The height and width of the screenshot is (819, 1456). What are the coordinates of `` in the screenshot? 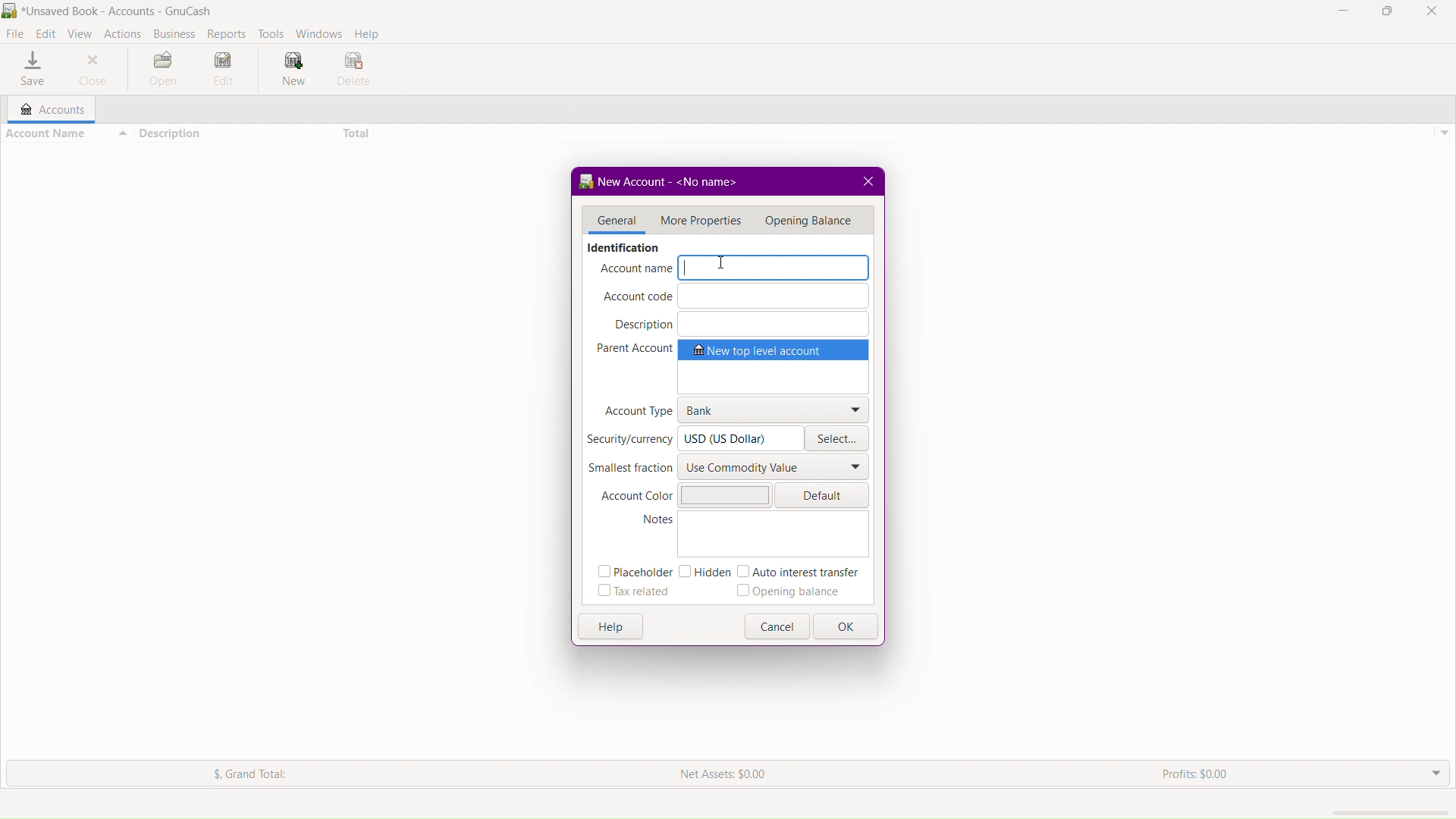 It's located at (811, 218).